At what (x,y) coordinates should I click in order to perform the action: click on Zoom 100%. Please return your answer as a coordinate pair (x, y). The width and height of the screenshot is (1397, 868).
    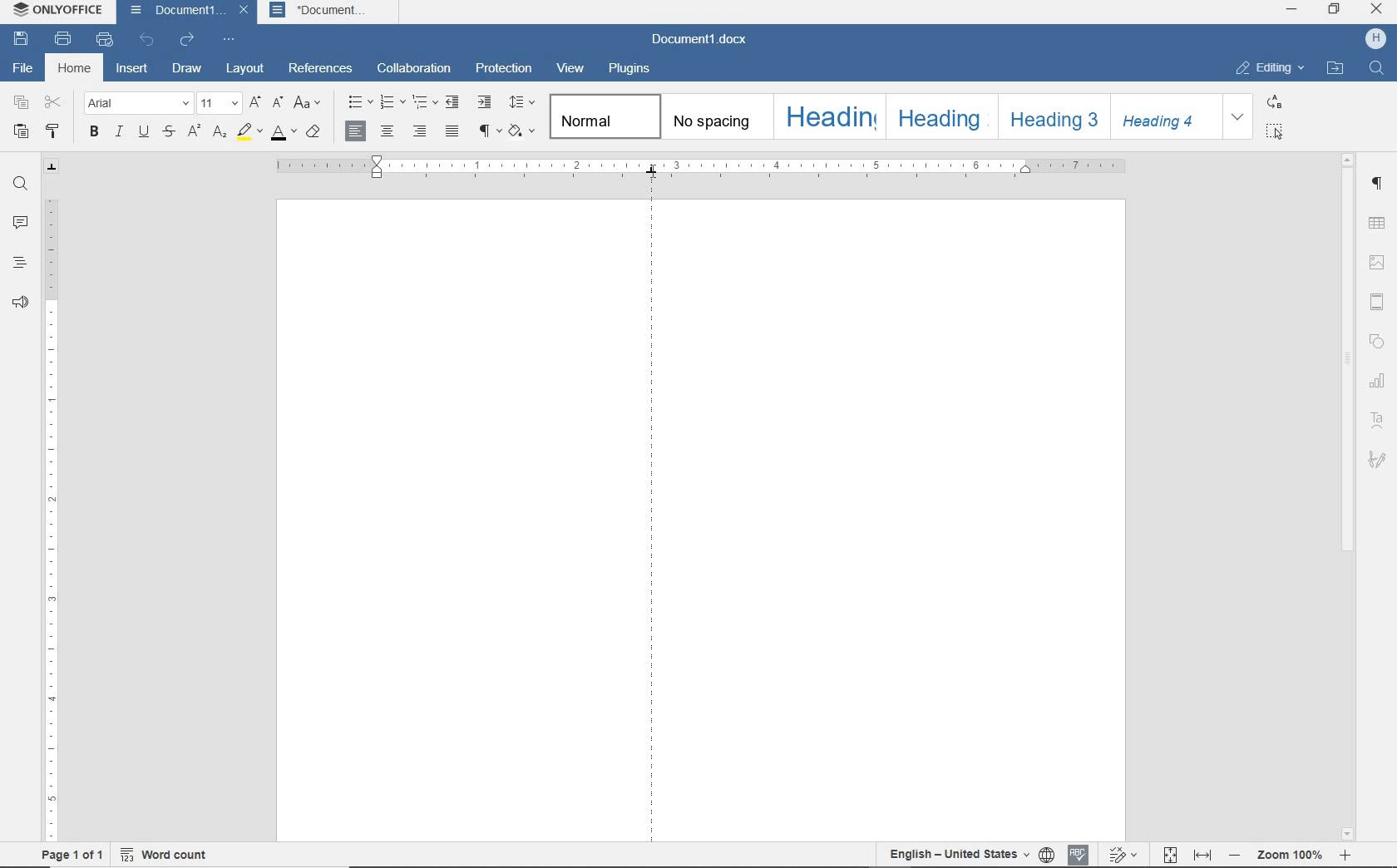
    Looking at the image, I should click on (1291, 855).